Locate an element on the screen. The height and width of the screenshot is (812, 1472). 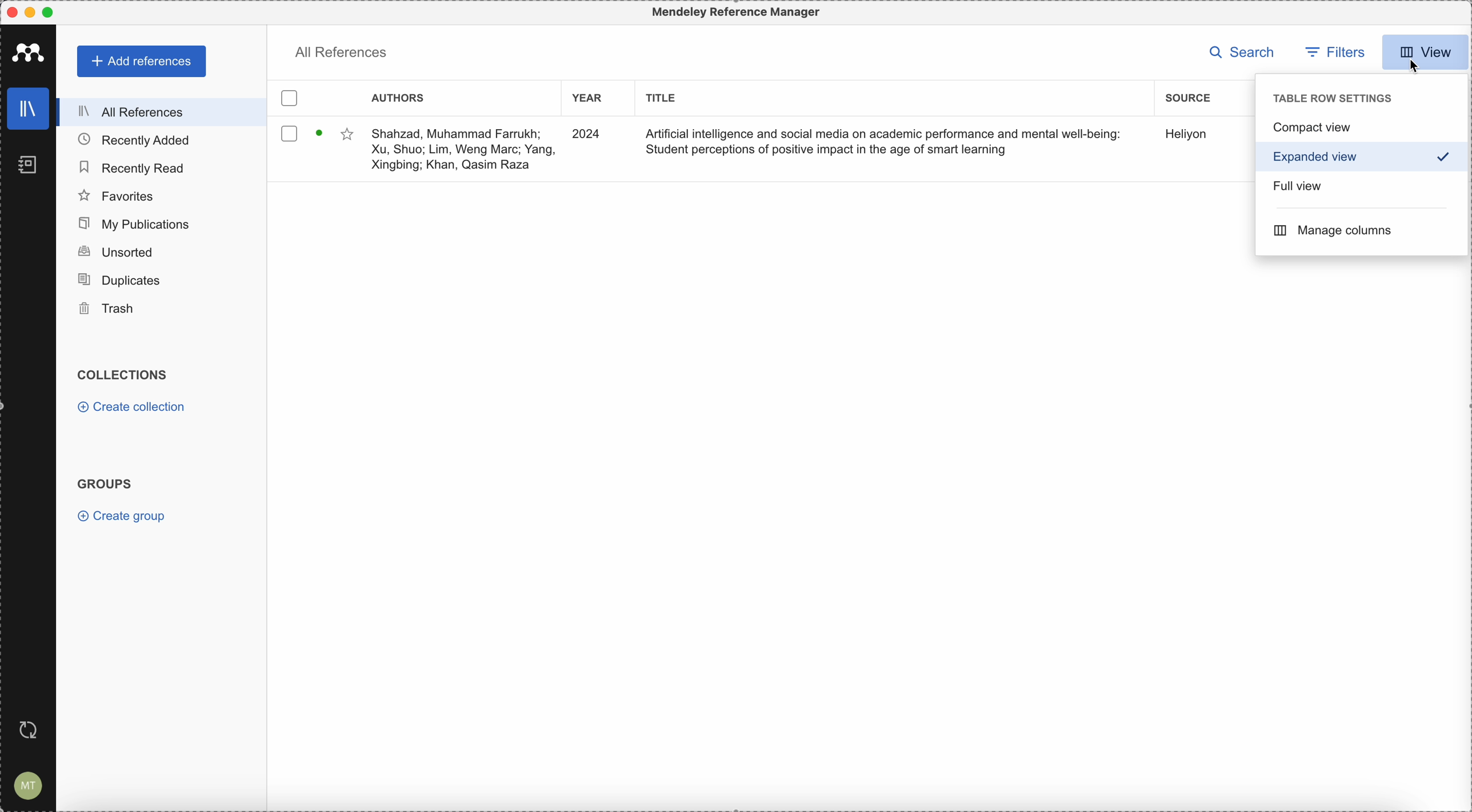
cursor is located at coordinates (1416, 69).